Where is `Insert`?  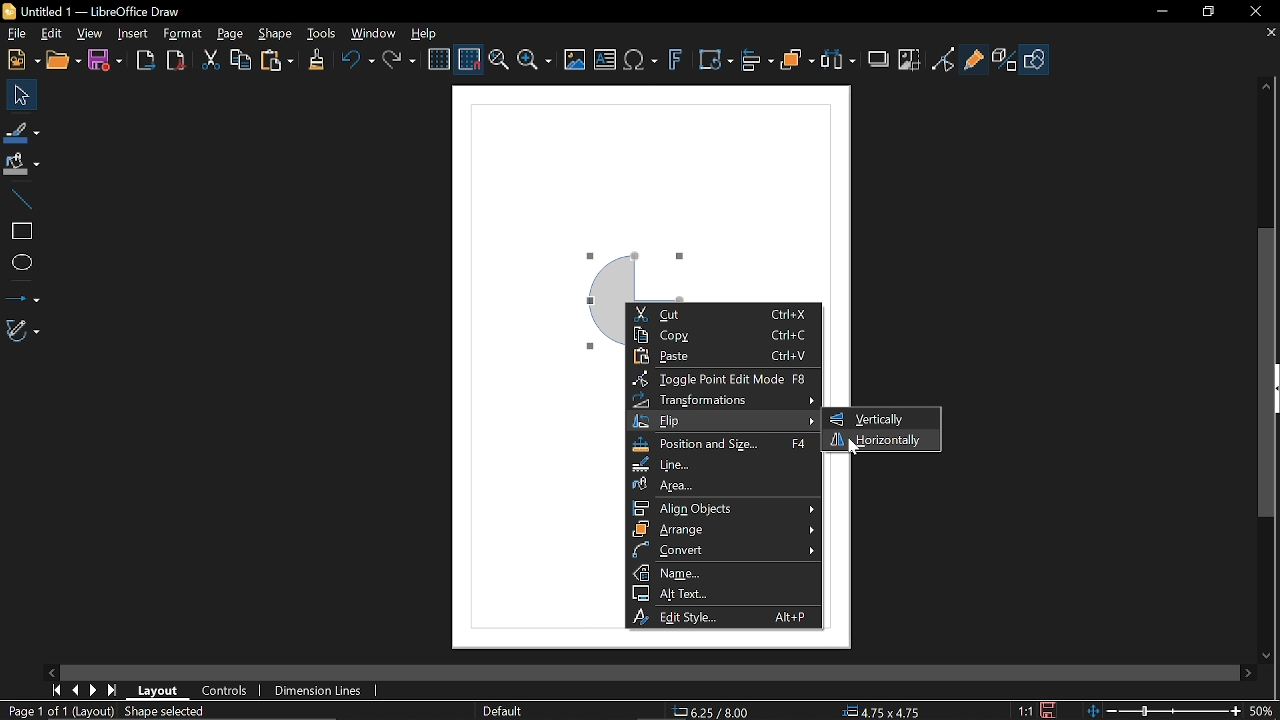 Insert is located at coordinates (134, 35).